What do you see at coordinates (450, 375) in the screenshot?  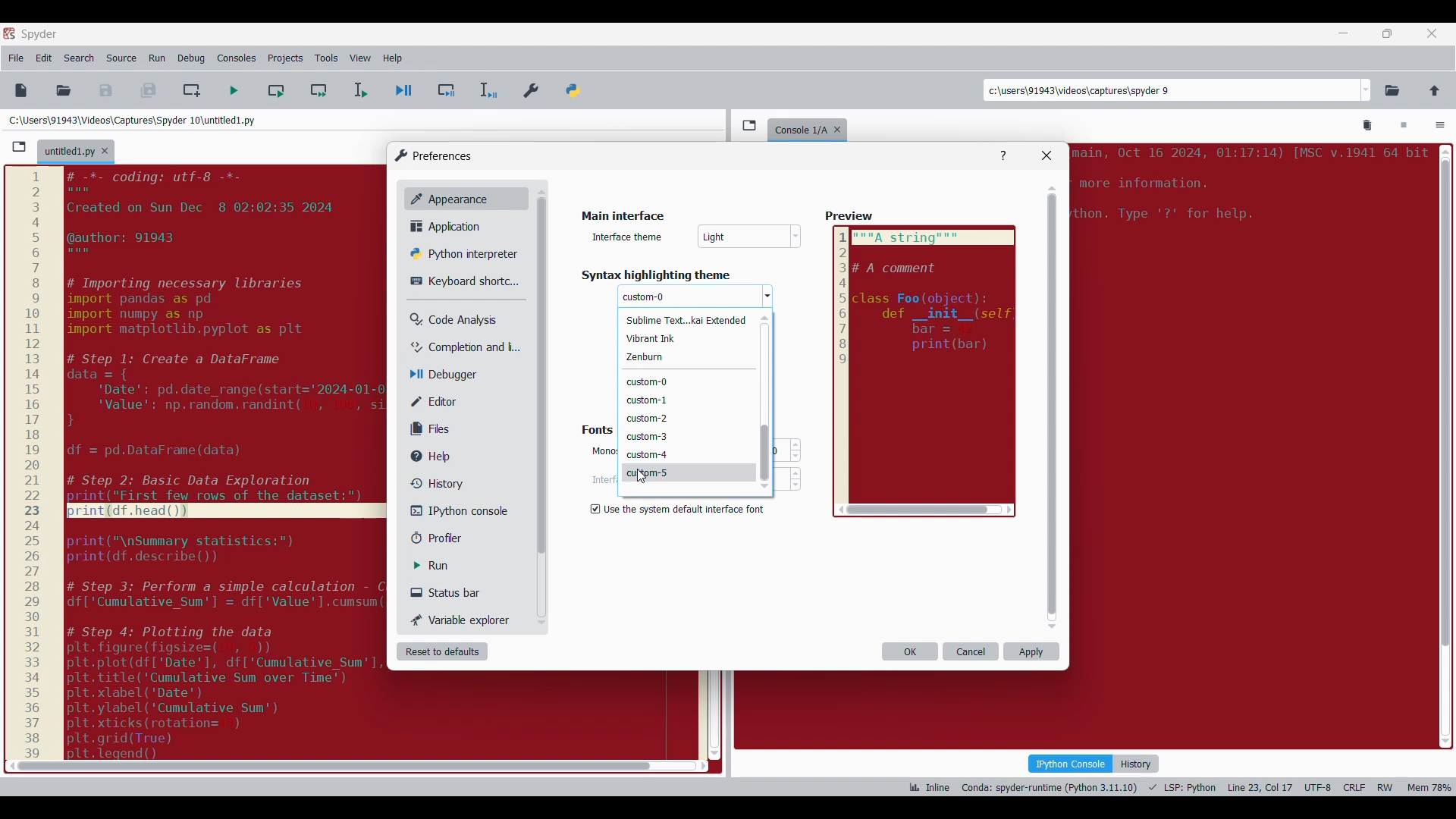 I see `Debugger` at bounding box center [450, 375].